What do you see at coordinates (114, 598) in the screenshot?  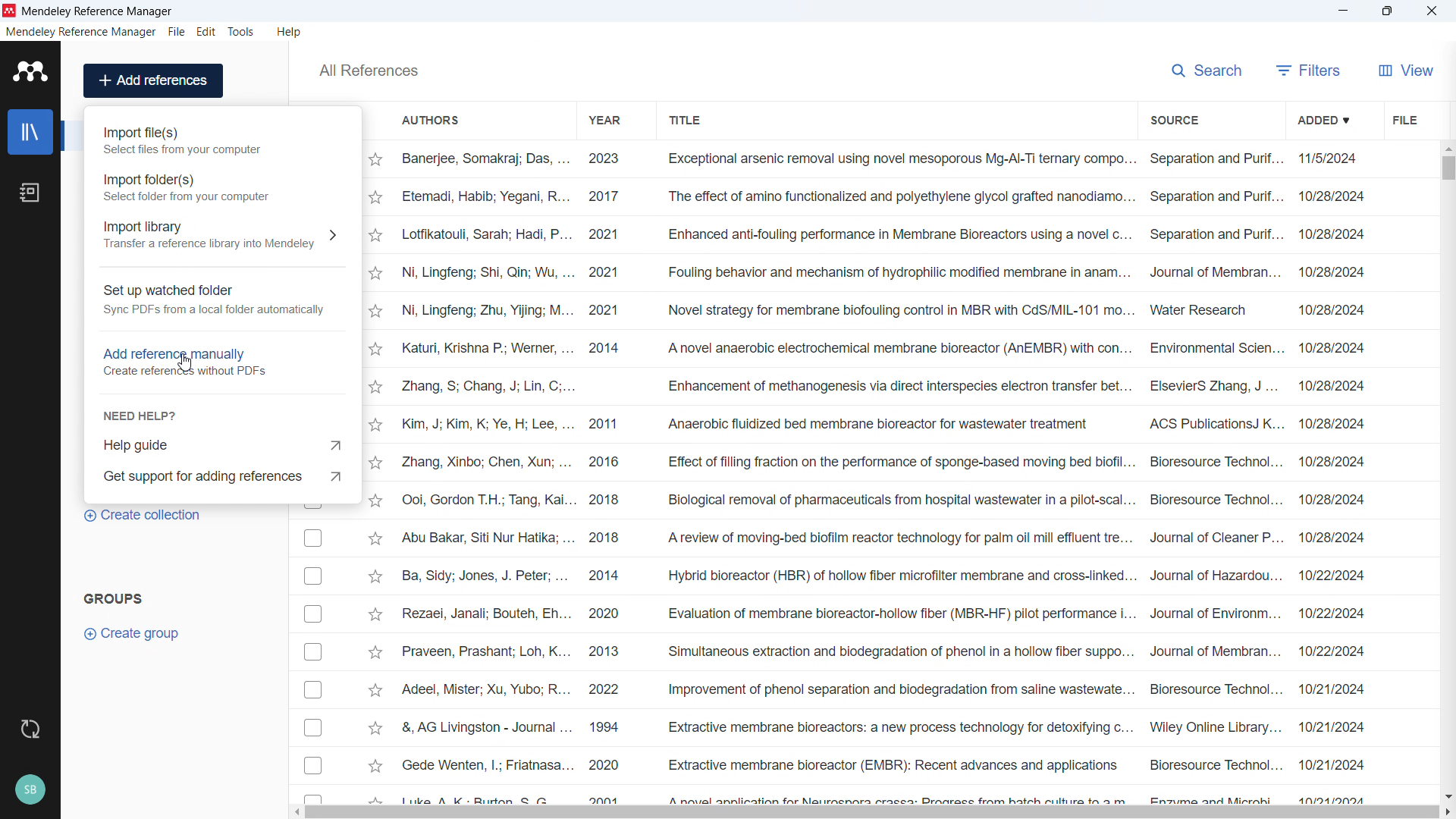 I see `Groups ` at bounding box center [114, 598].